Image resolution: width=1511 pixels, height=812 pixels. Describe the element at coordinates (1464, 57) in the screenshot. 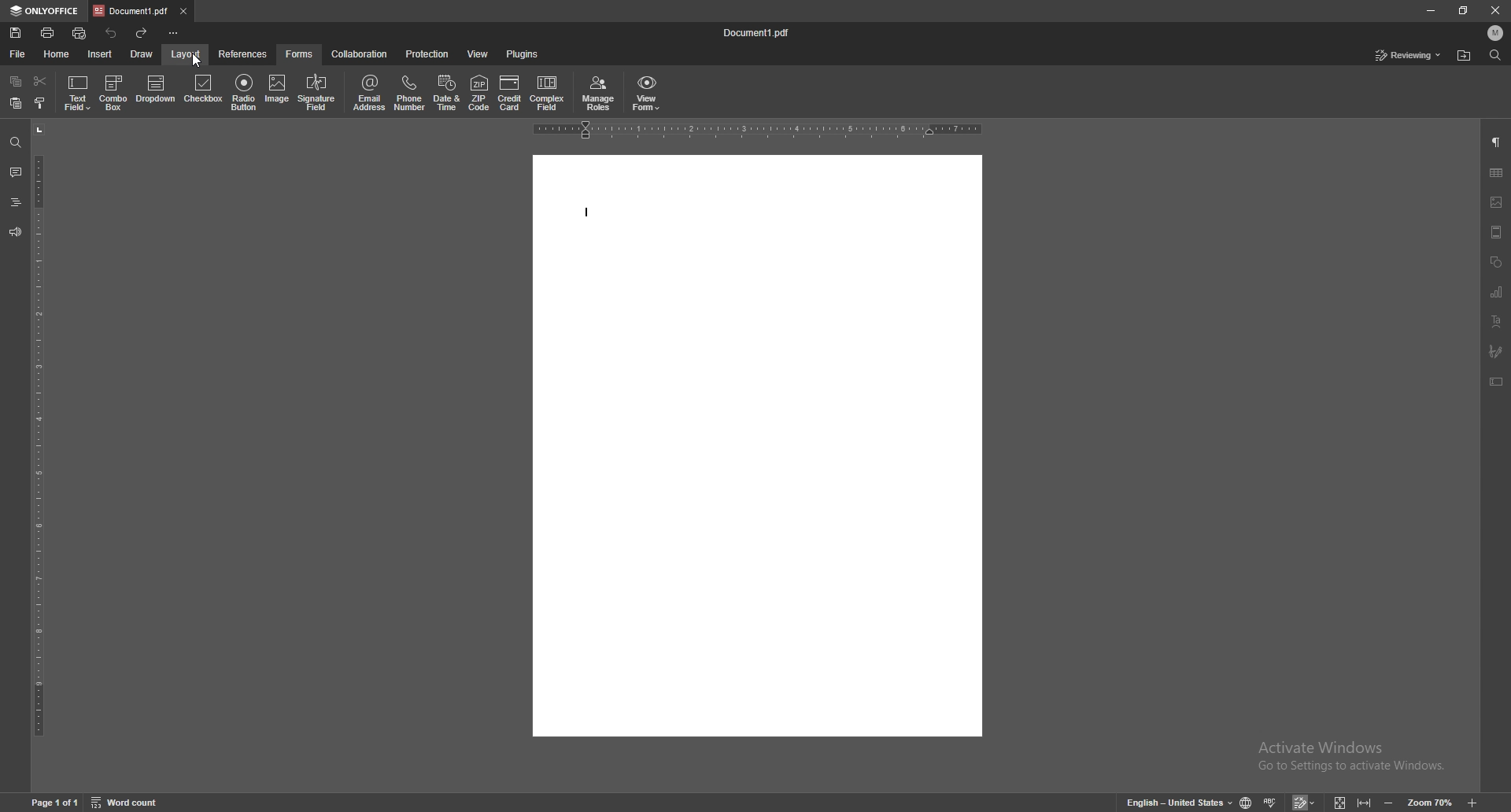

I see `locate file` at that location.